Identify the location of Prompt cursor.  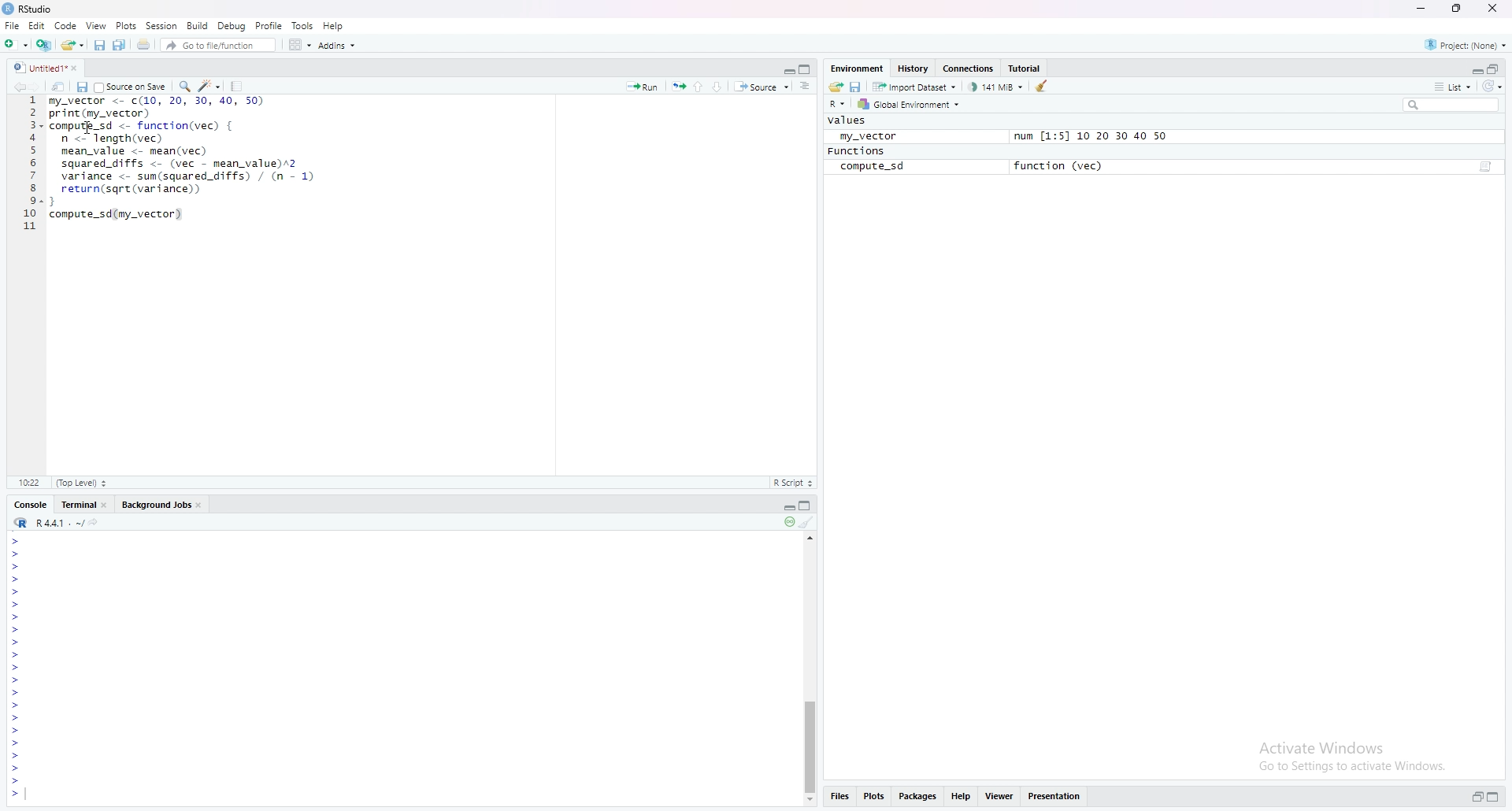
(13, 643).